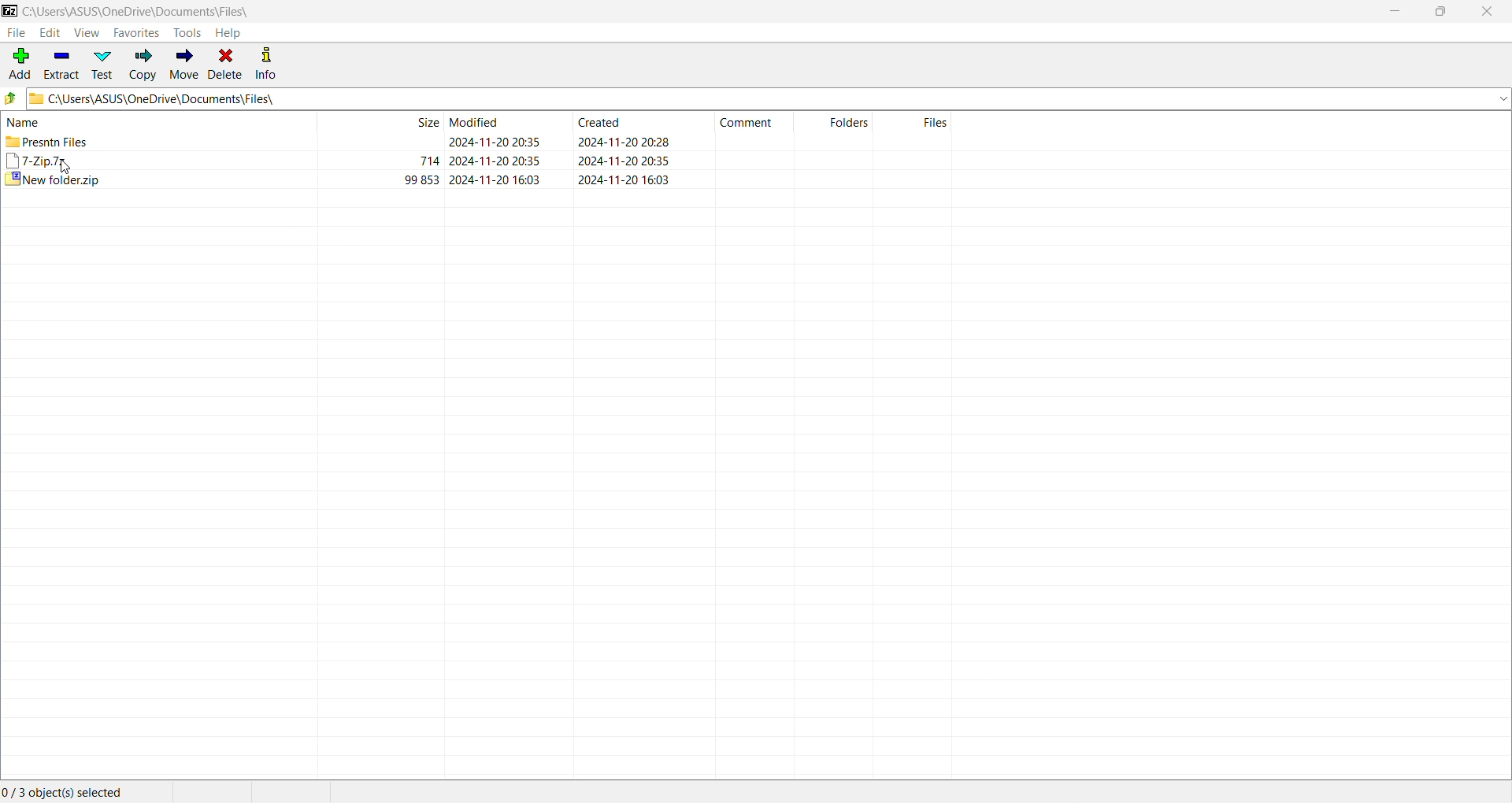 The image size is (1512, 803). What do you see at coordinates (48, 33) in the screenshot?
I see `Edit` at bounding box center [48, 33].